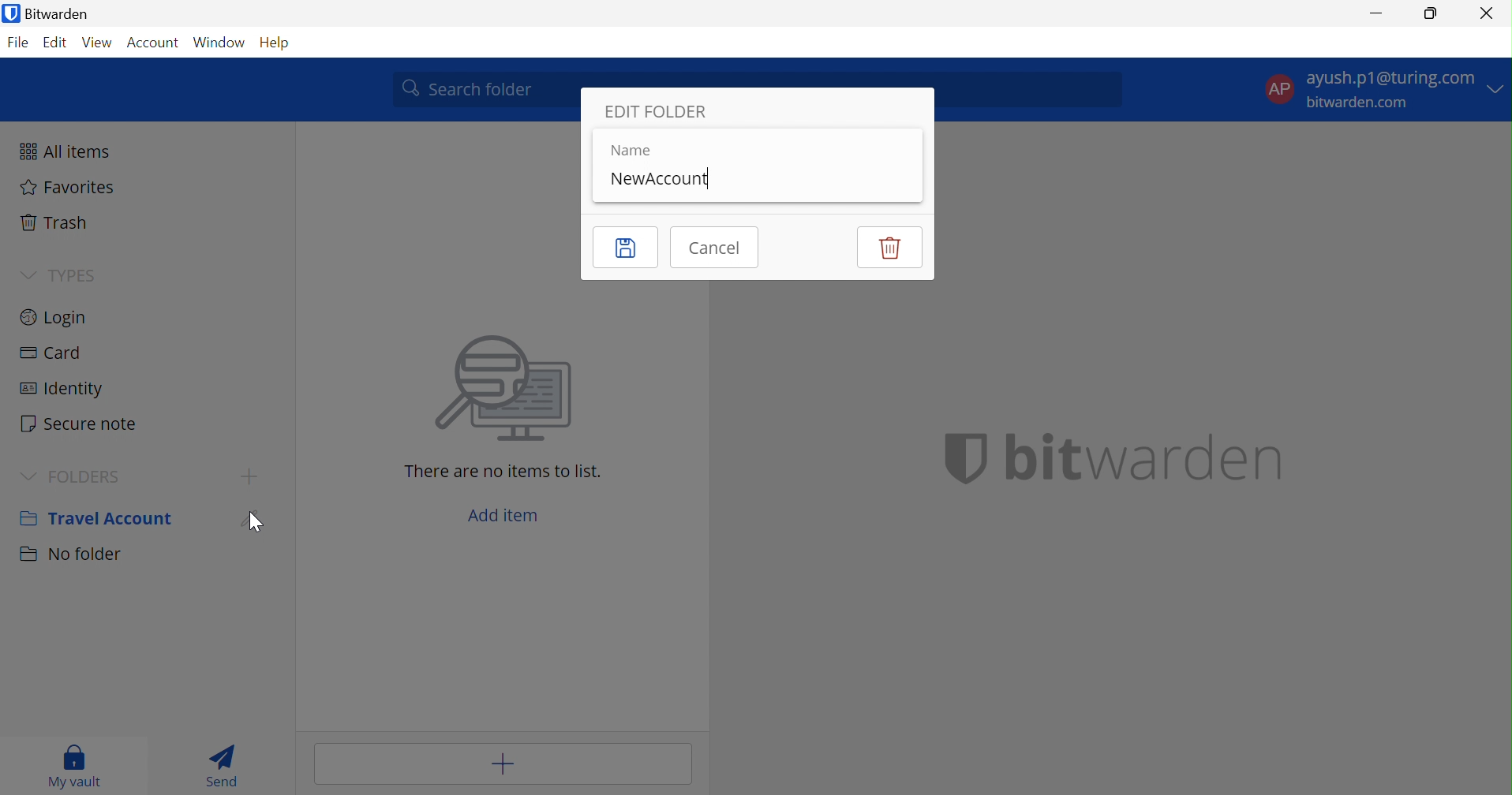 This screenshot has height=795, width=1512. What do you see at coordinates (78, 768) in the screenshot?
I see `My Vault` at bounding box center [78, 768].